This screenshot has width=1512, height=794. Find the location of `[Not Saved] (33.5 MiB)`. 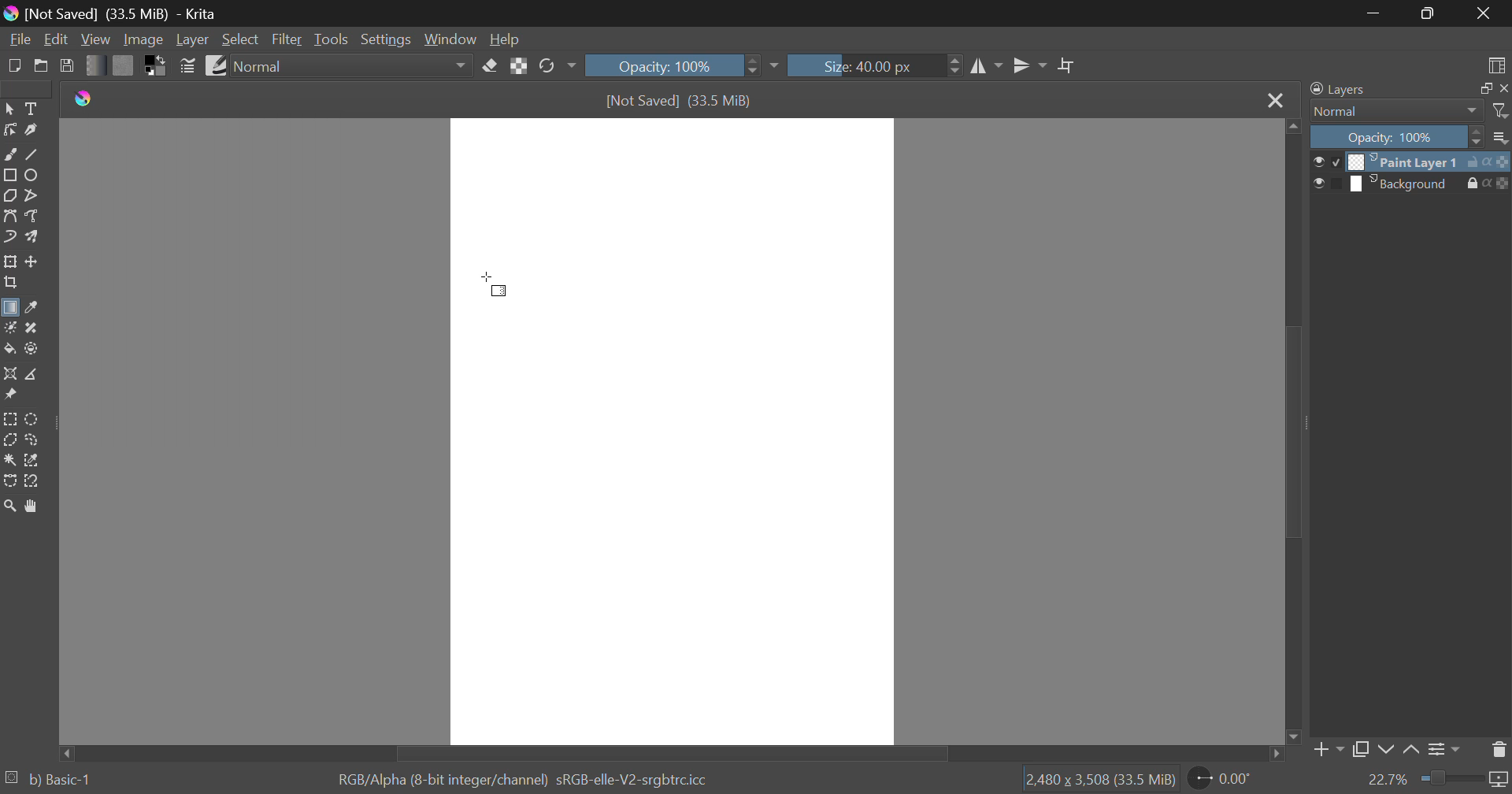

[Not Saved] (33.5 MiB) is located at coordinates (680, 101).